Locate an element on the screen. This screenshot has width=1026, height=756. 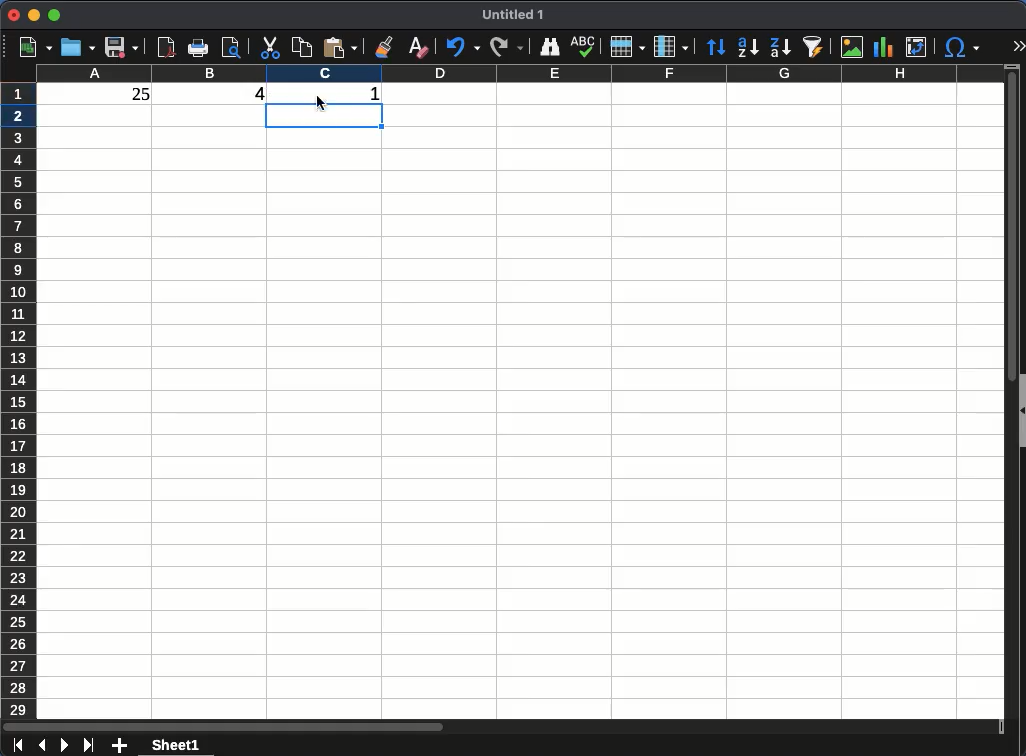
rows is located at coordinates (628, 46).